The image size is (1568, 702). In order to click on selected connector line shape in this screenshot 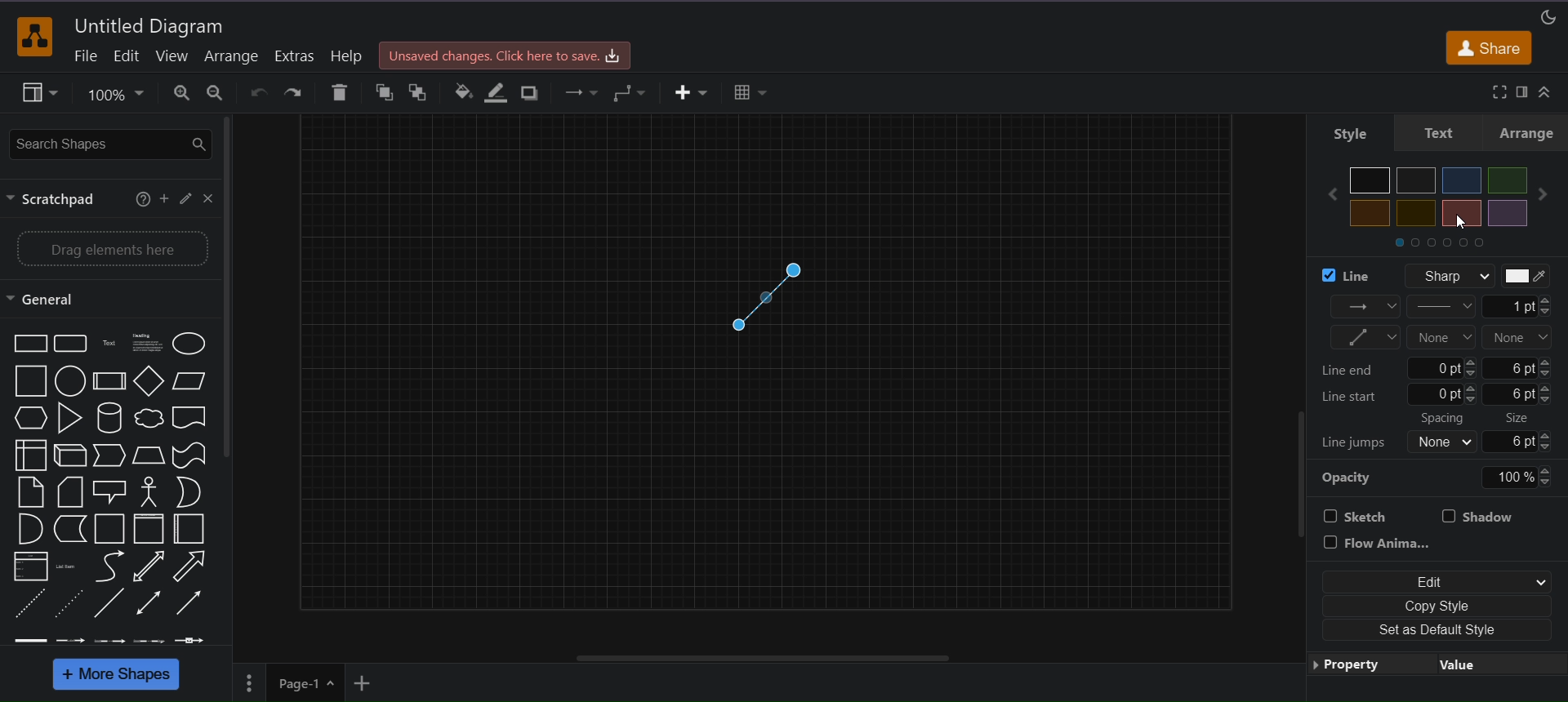, I will do `click(769, 295)`.